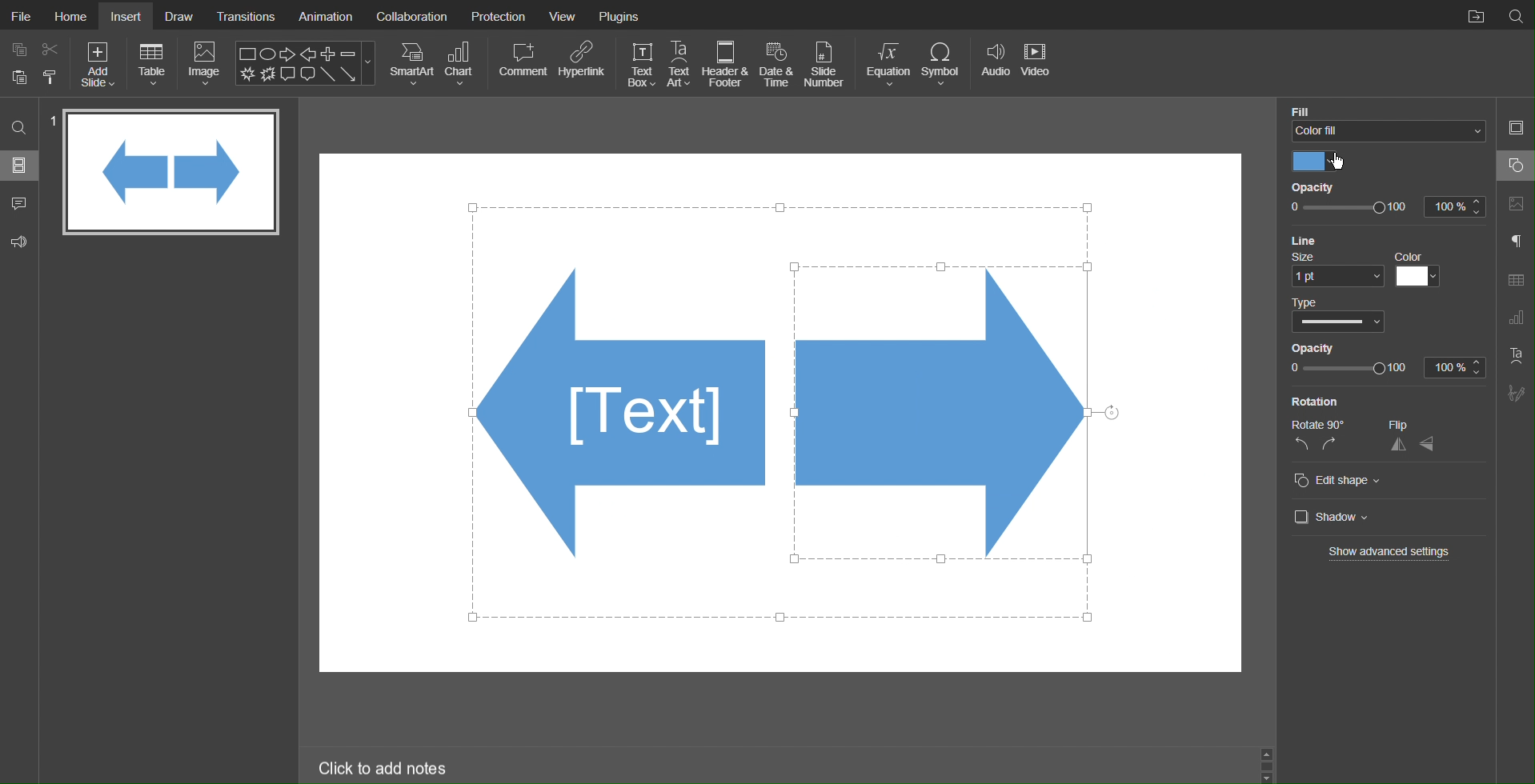 This screenshot has width=1535, height=784. Describe the element at coordinates (179, 15) in the screenshot. I see `Draw` at that location.